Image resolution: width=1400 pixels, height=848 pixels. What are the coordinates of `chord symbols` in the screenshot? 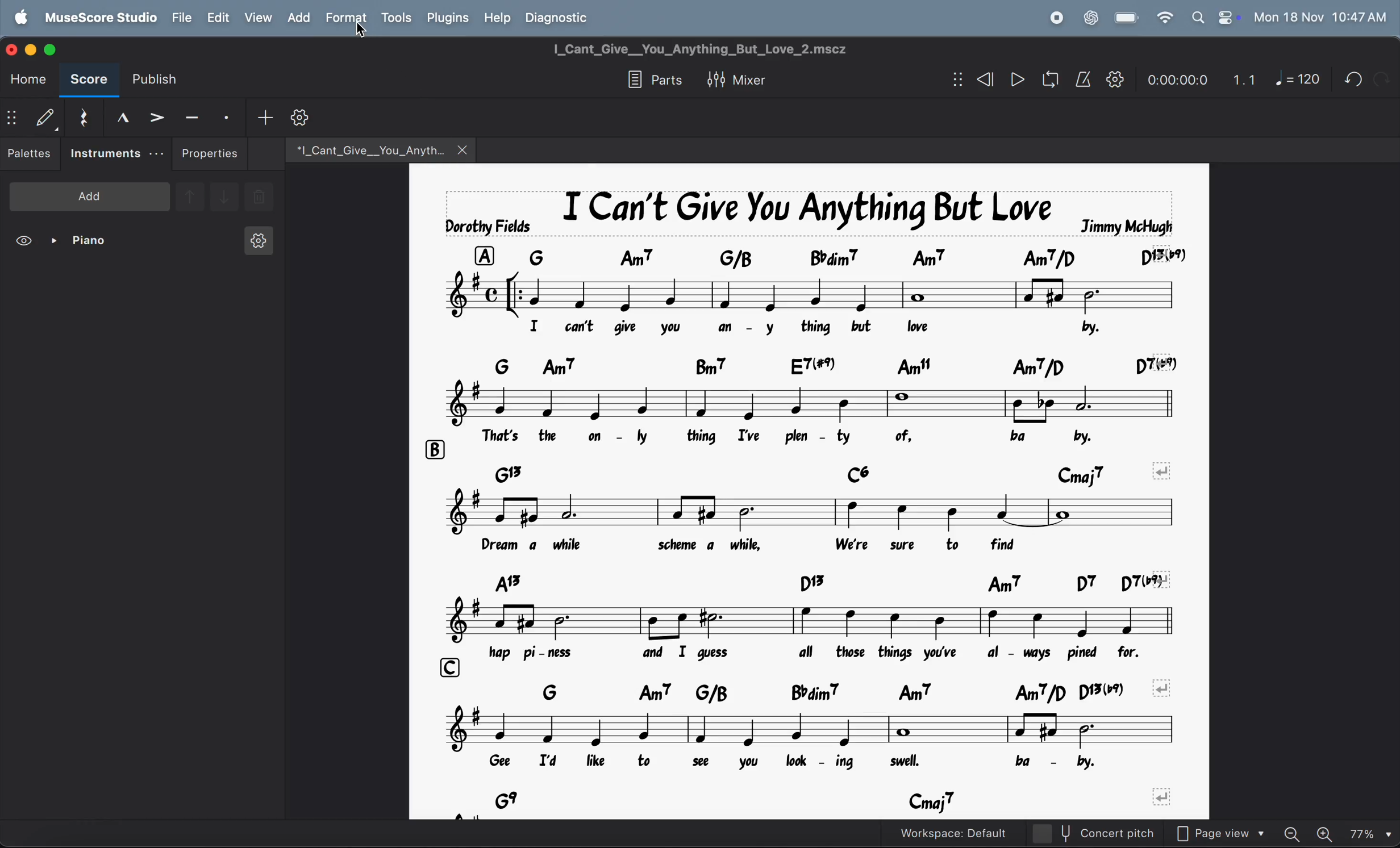 It's located at (755, 470).